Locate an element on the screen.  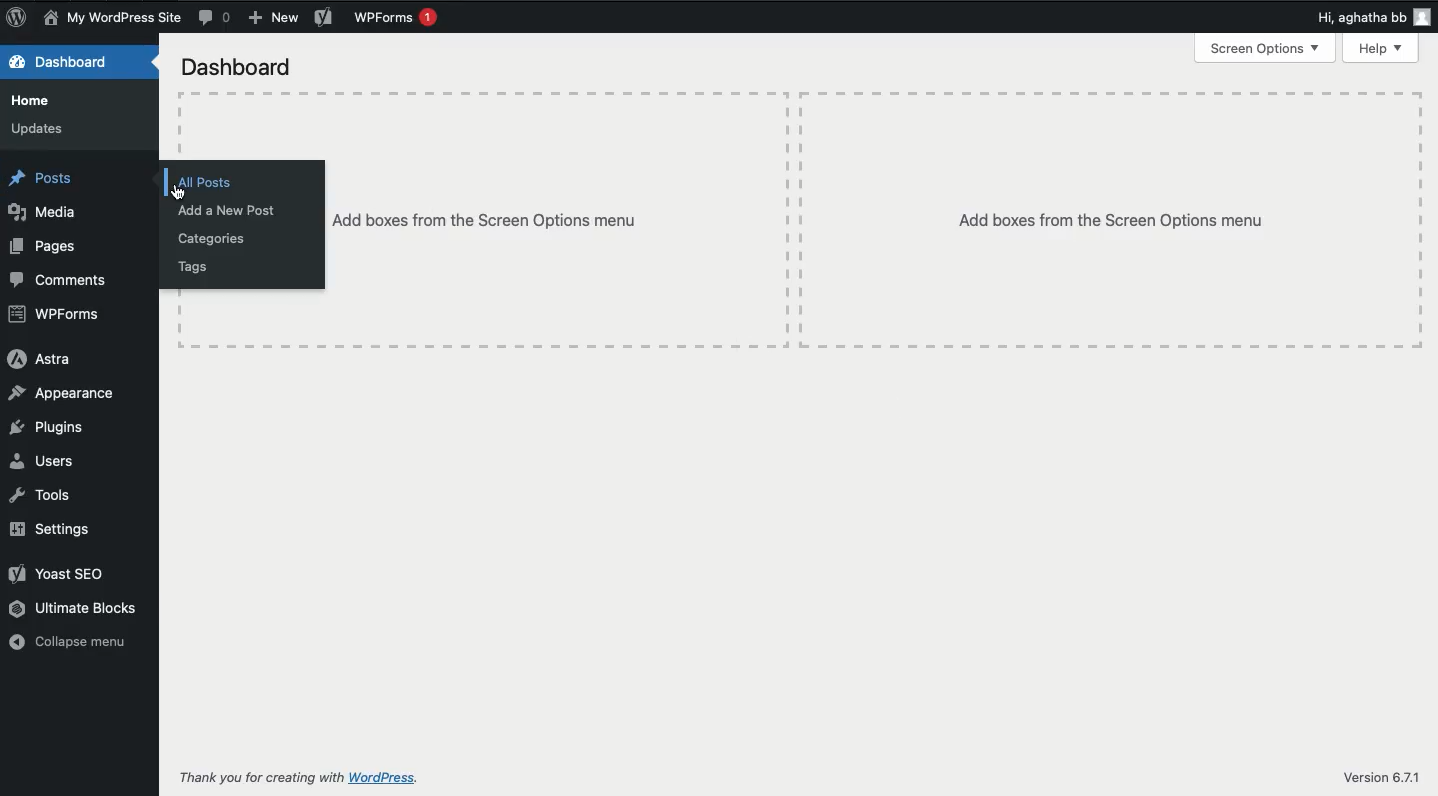
Home is located at coordinates (32, 102).